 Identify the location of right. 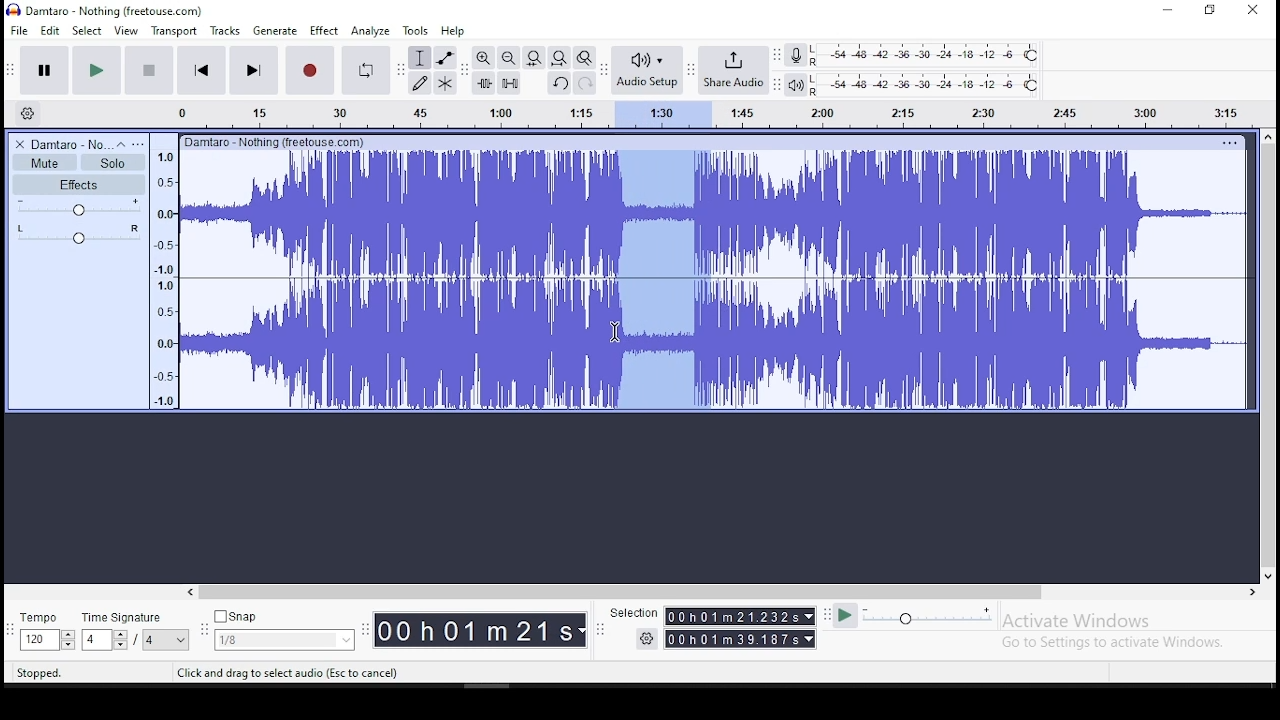
(1251, 592).